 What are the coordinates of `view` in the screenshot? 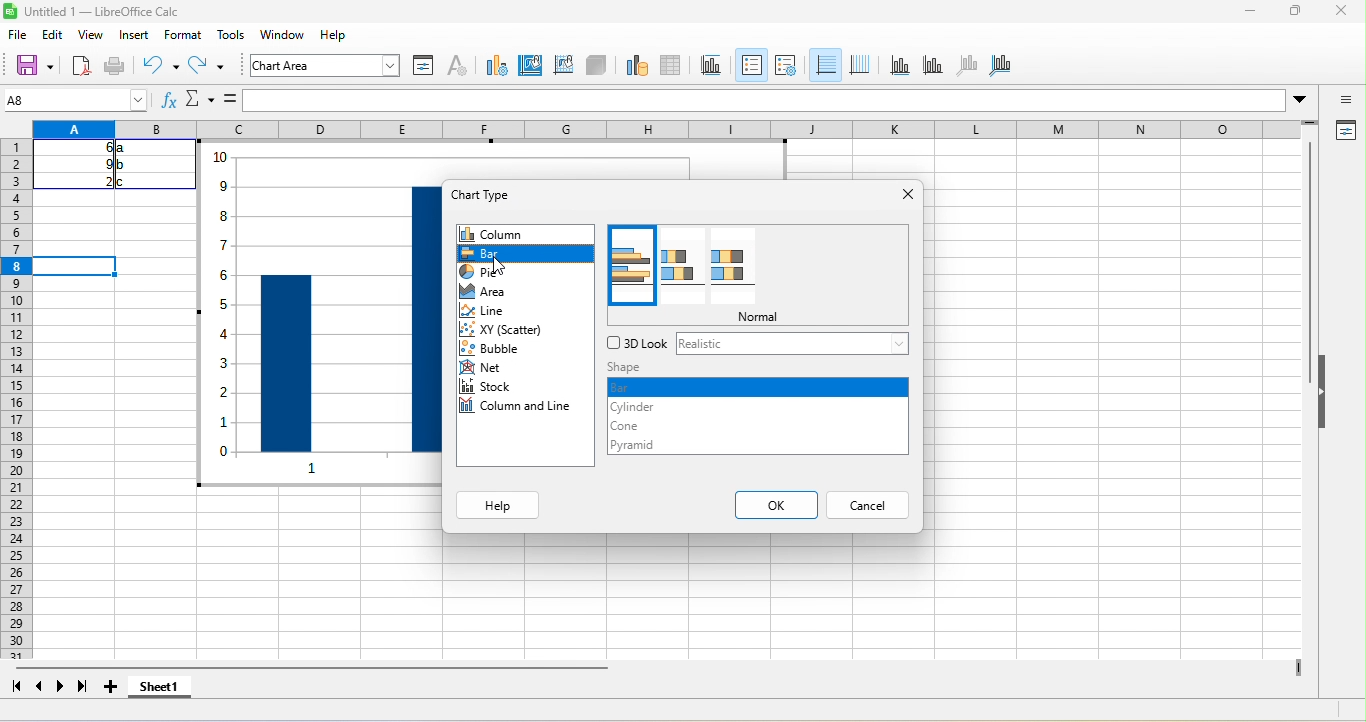 It's located at (94, 34).